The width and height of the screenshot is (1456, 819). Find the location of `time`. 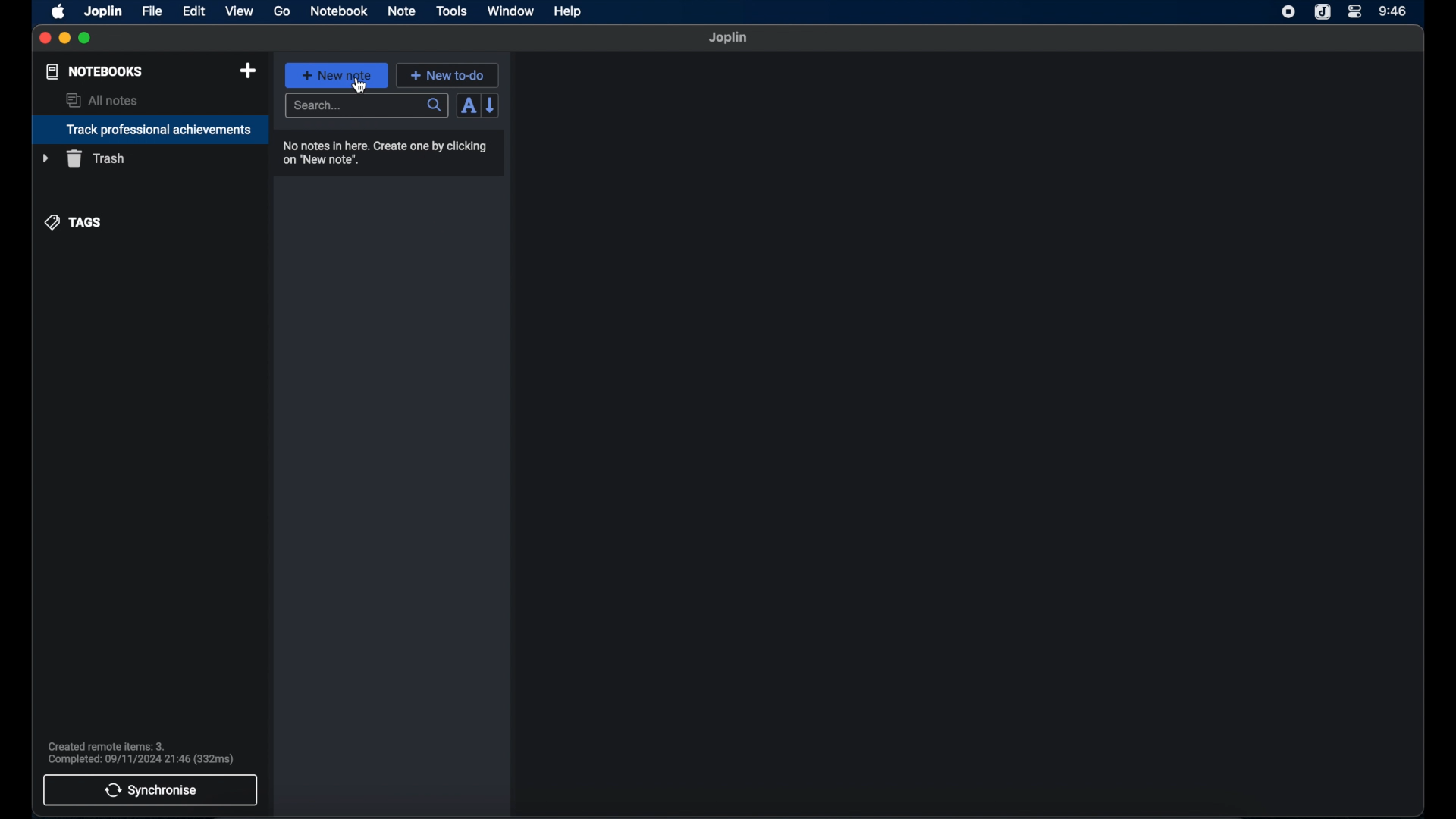

time is located at coordinates (1393, 11).